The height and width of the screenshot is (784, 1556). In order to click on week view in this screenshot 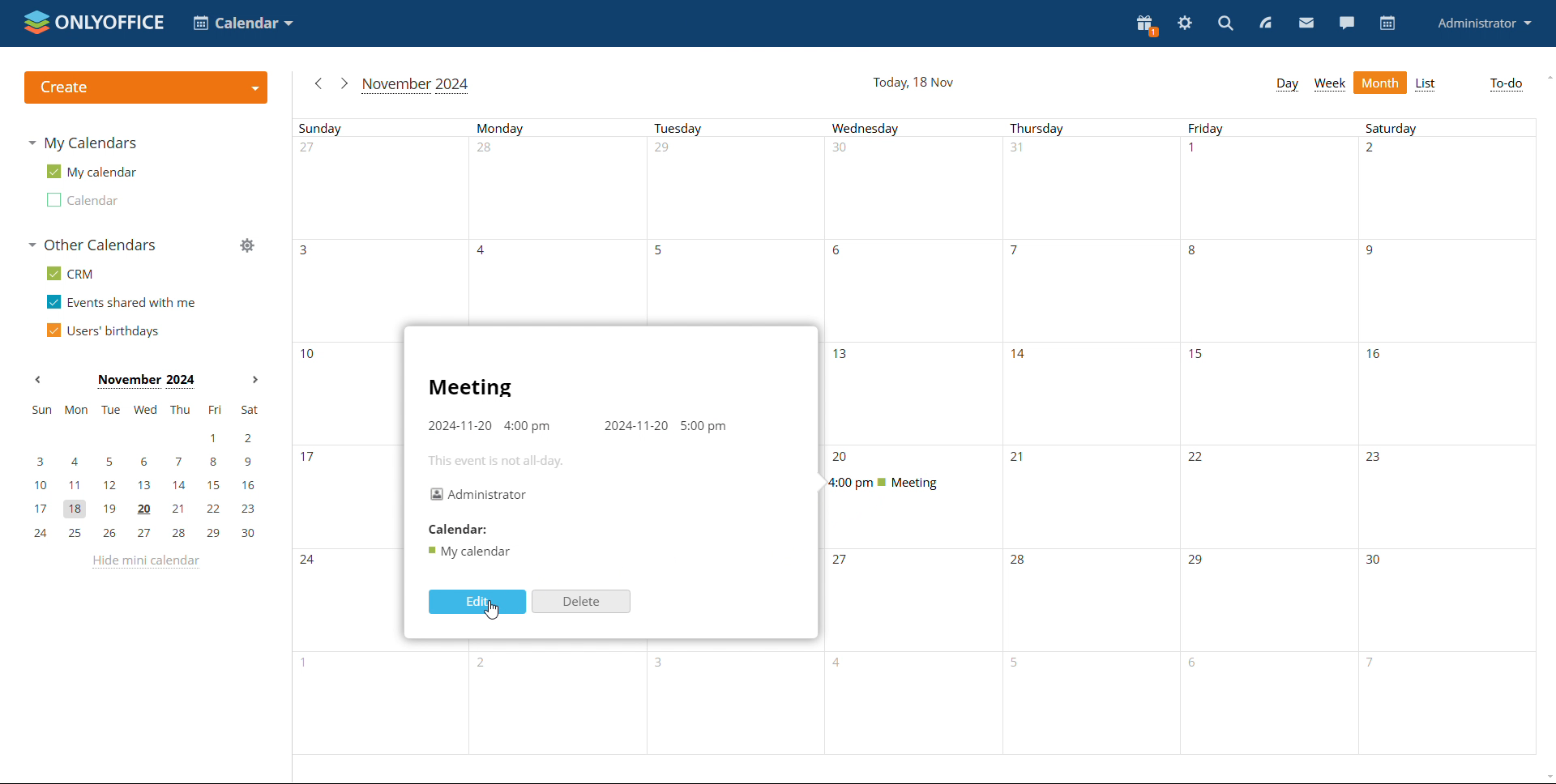, I will do `click(1329, 83)`.